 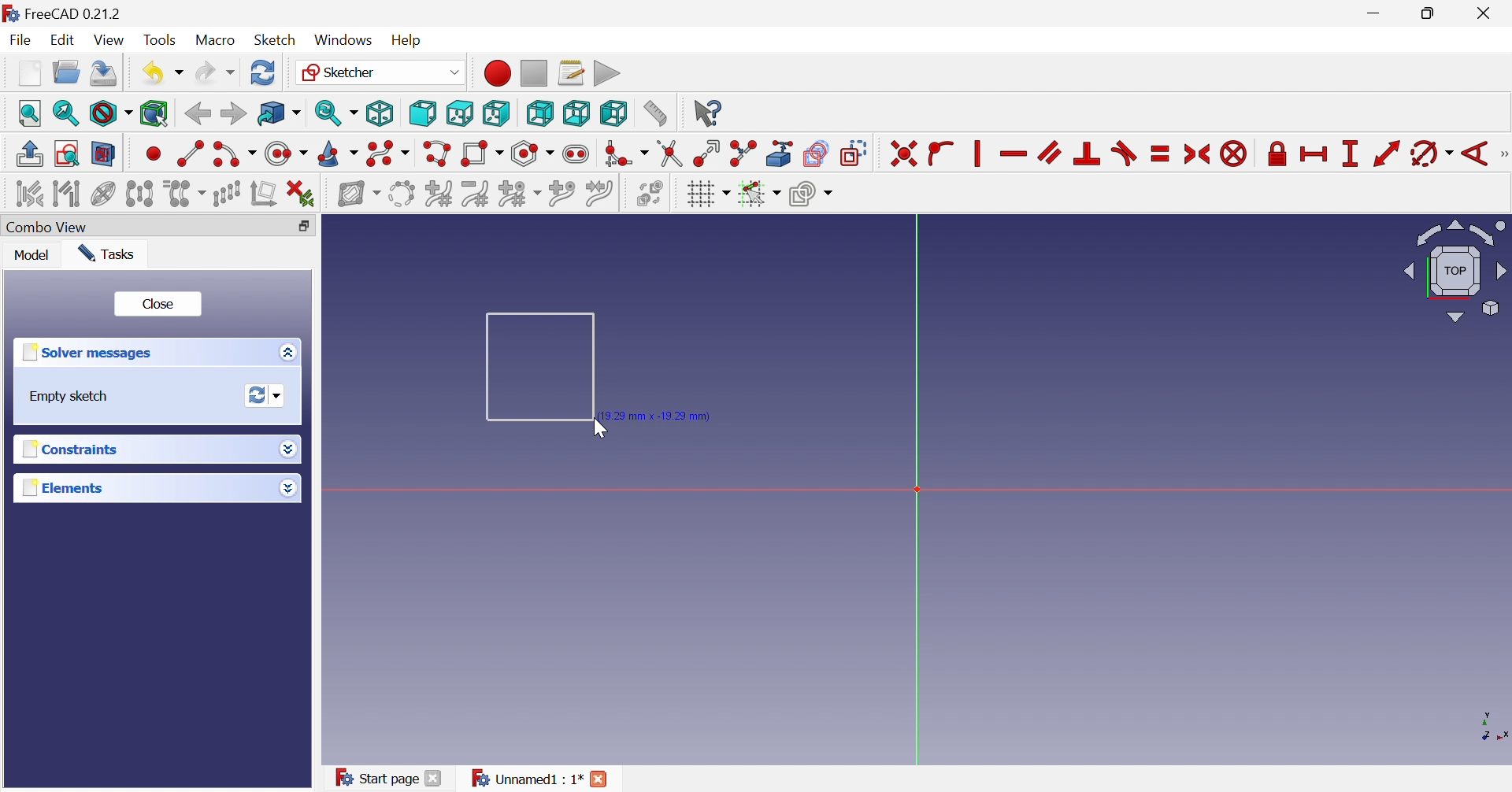 What do you see at coordinates (650, 193) in the screenshot?
I see `Switch virtual space` at bounding box center [650, 193].